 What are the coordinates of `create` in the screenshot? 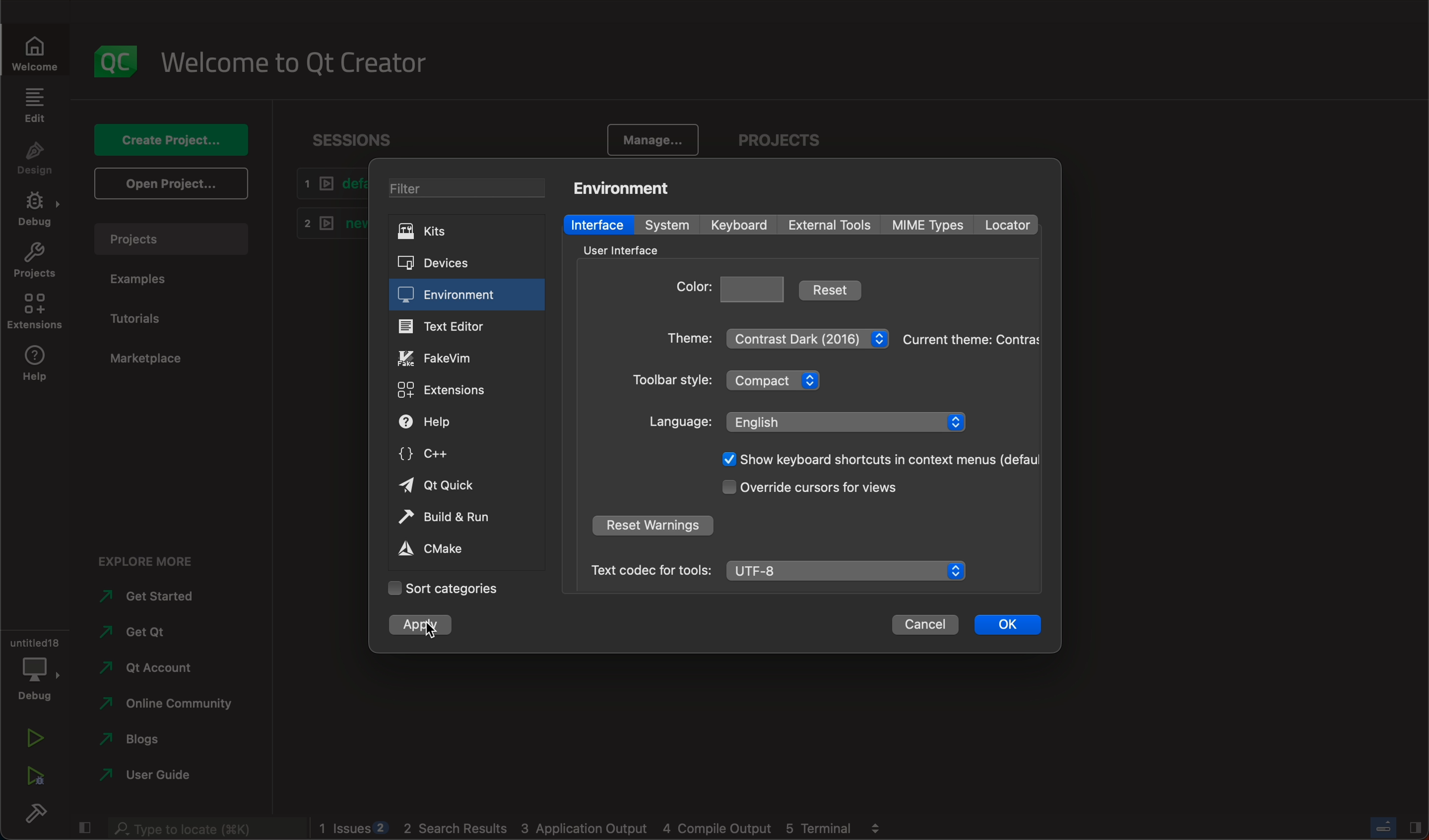 It's located at (175, 142).